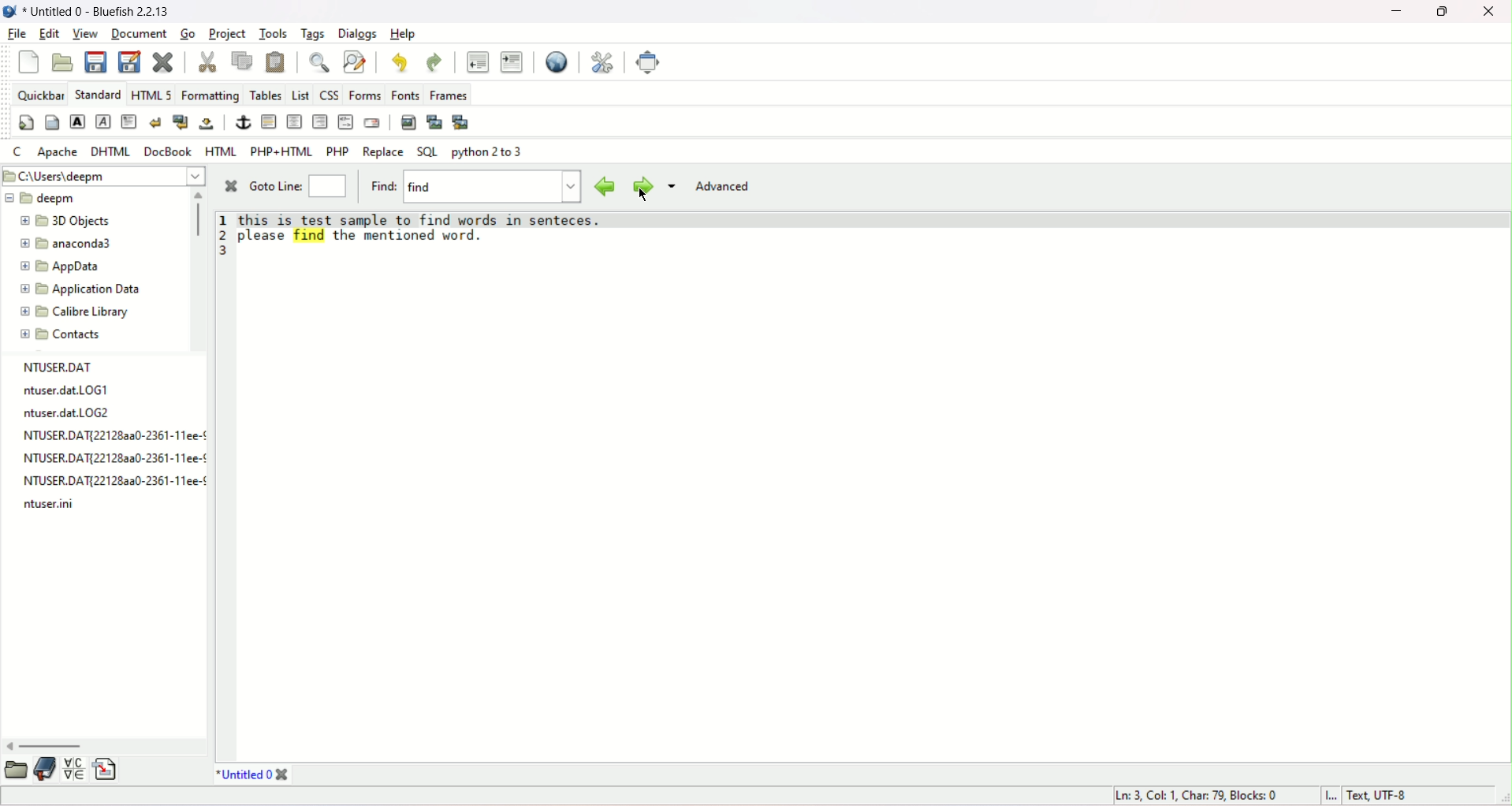 This screenshot has width=1512, height=806. I want to click on PHP+HTML, so click(280, 151).